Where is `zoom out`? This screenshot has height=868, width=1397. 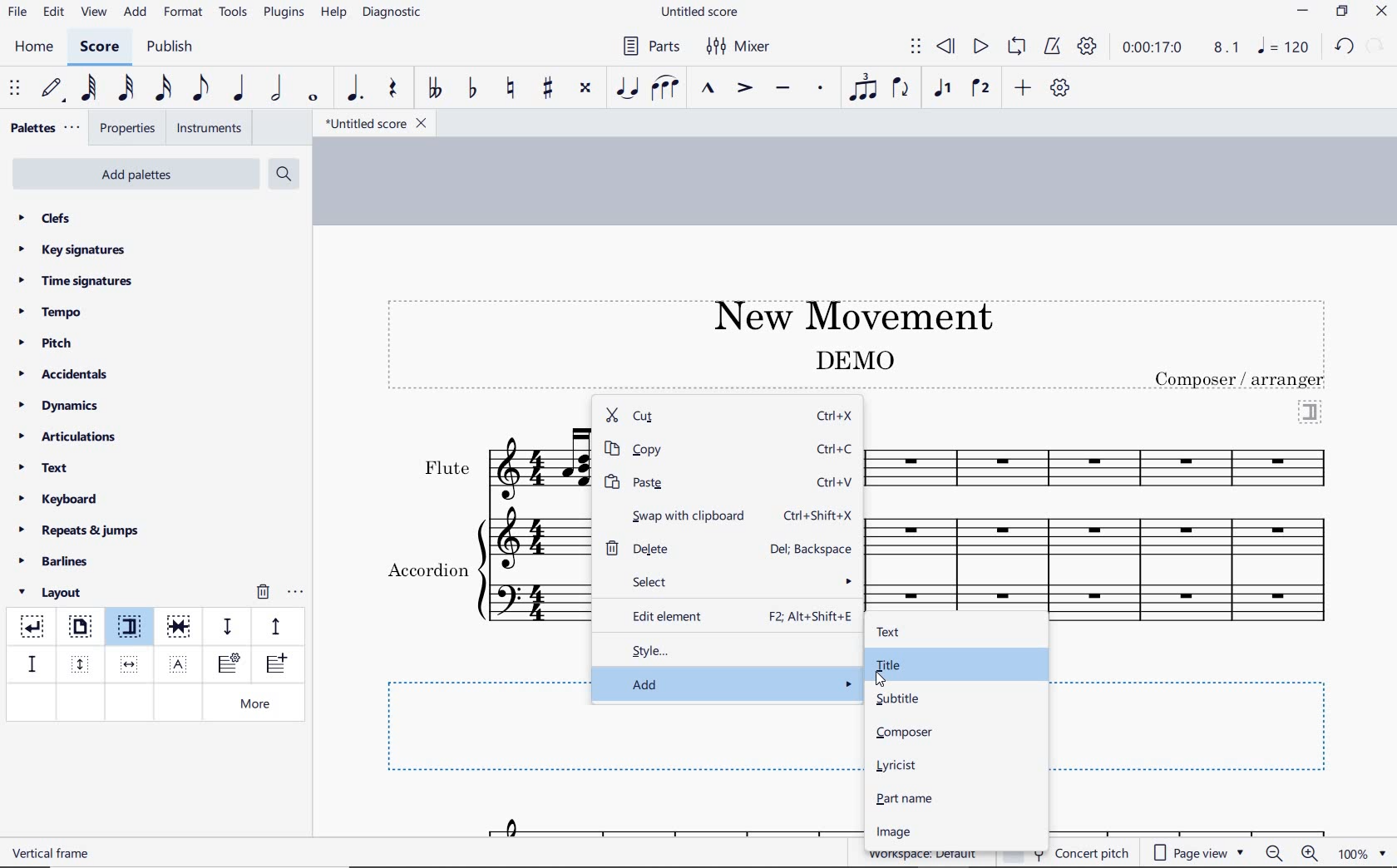
zoom out is located at coordinates (1276, 853).